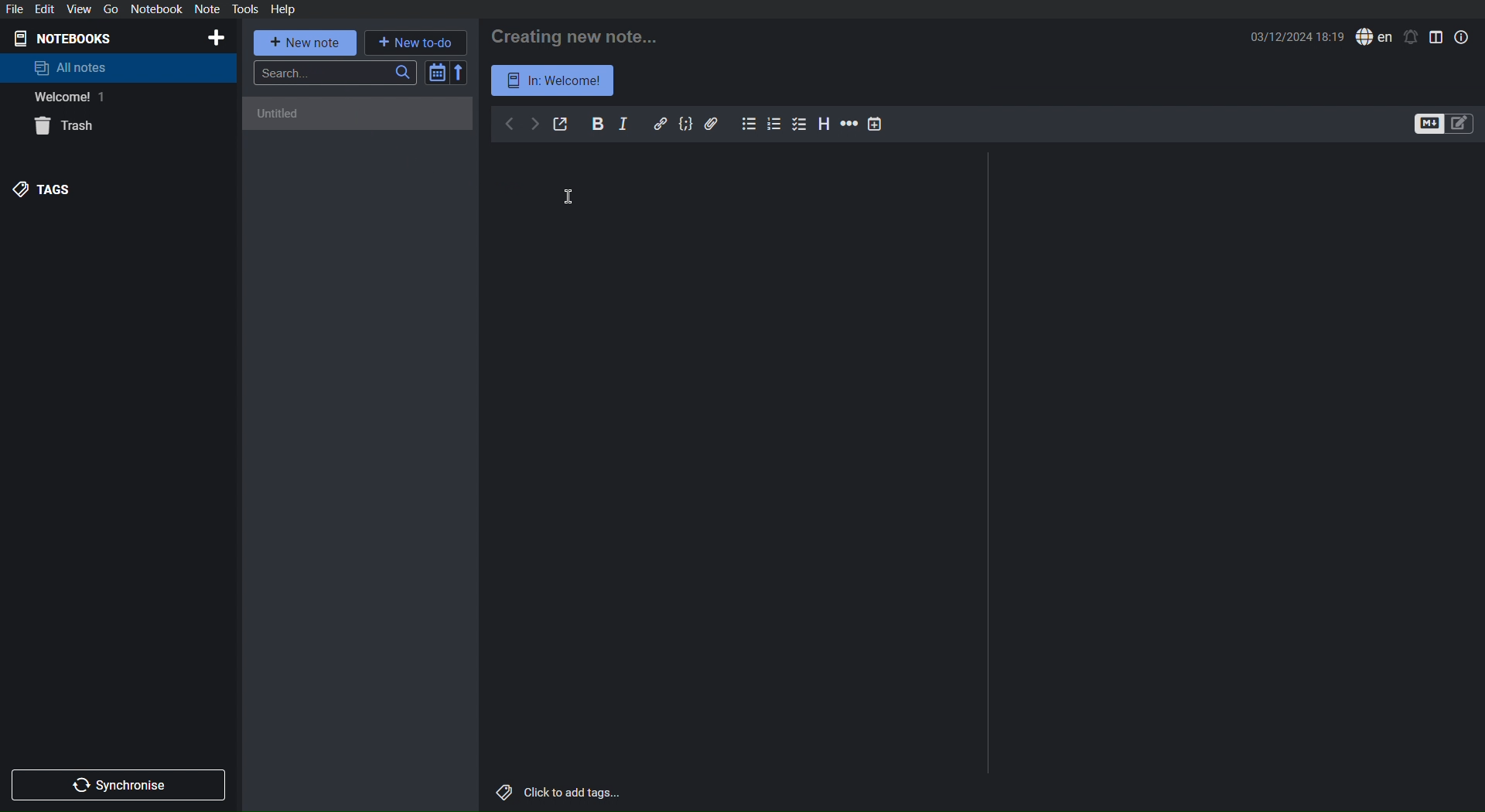 The width and height of the screenshot is (1485, 812). I want to click on File, so click(17, 9).